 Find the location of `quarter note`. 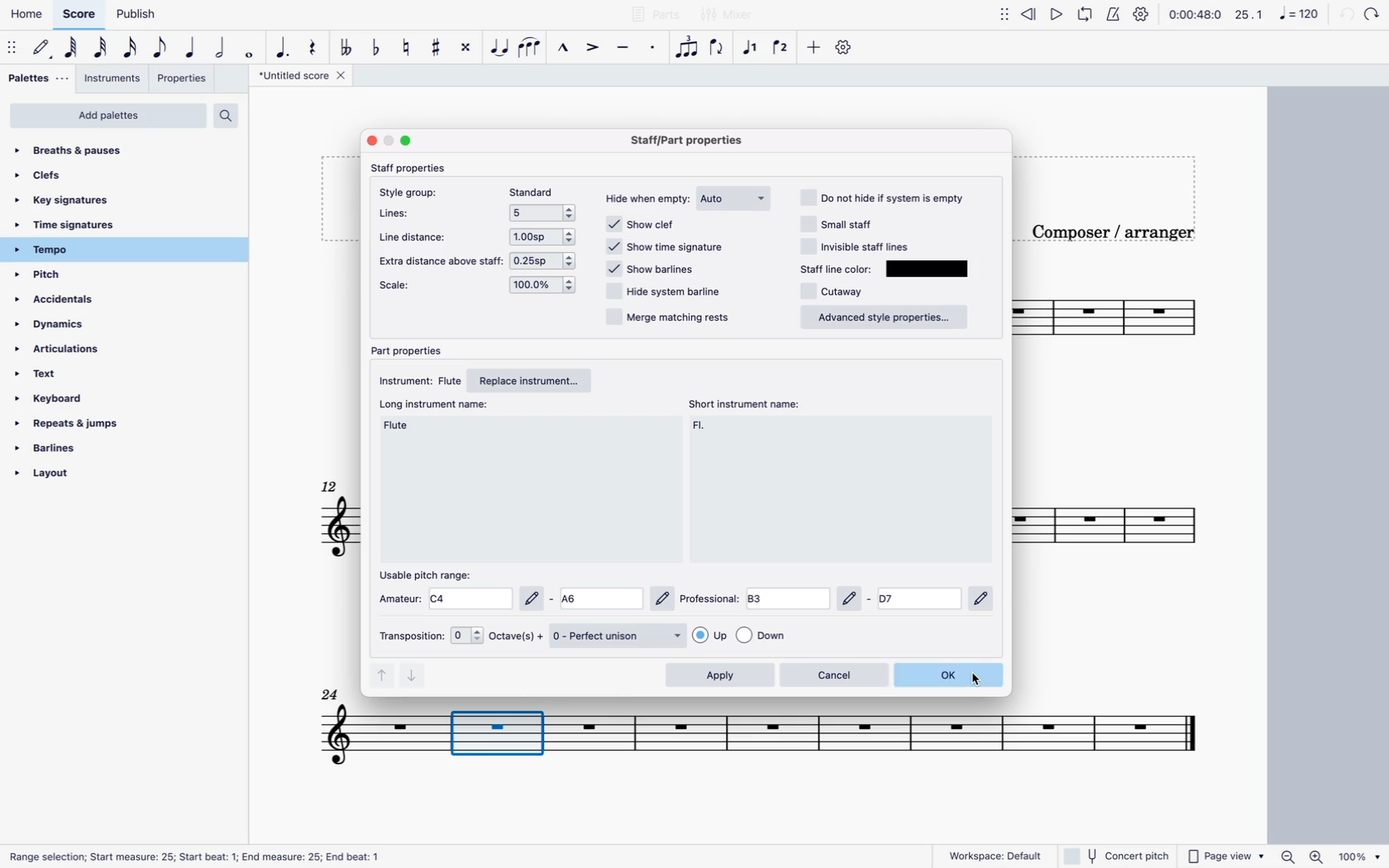

quarter note is located at coordinates (192, 48).